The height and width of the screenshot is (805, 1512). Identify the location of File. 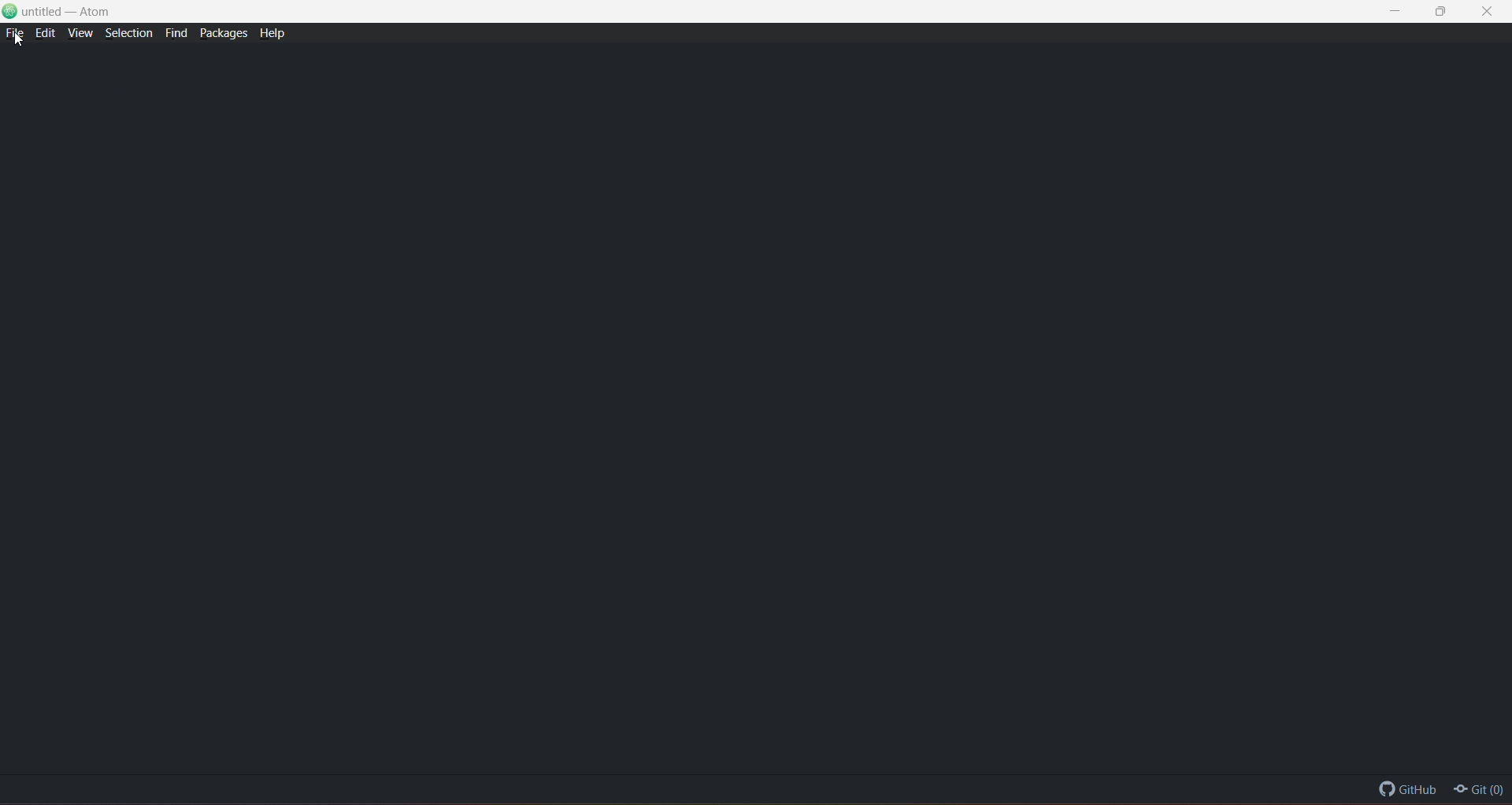
(15, 33).